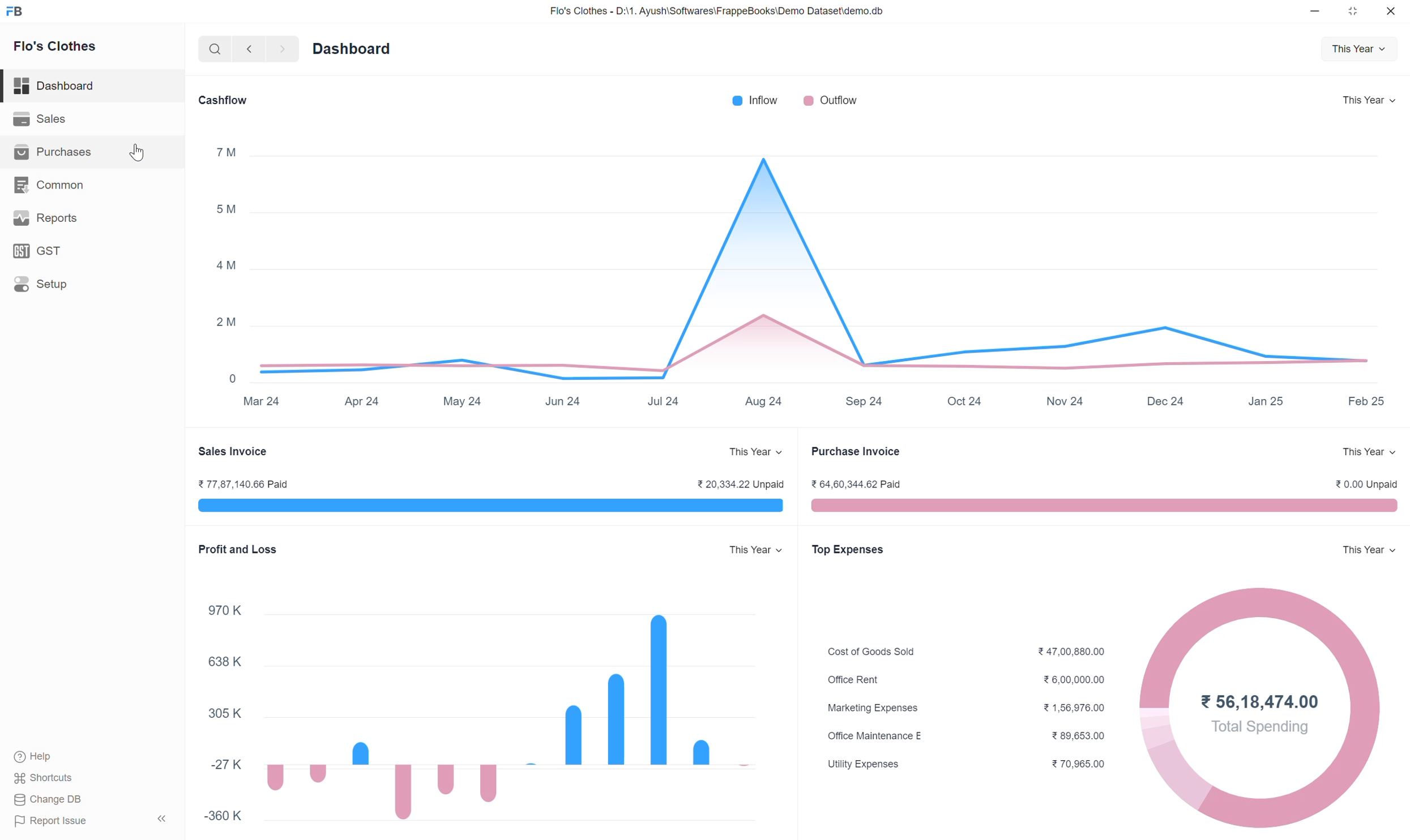 The height and width of the screenshot is (840, 1410). What do you see at coordinates (853, 680) in the screenshot?
I see `Office Rent` at bounding box center [853, 680].